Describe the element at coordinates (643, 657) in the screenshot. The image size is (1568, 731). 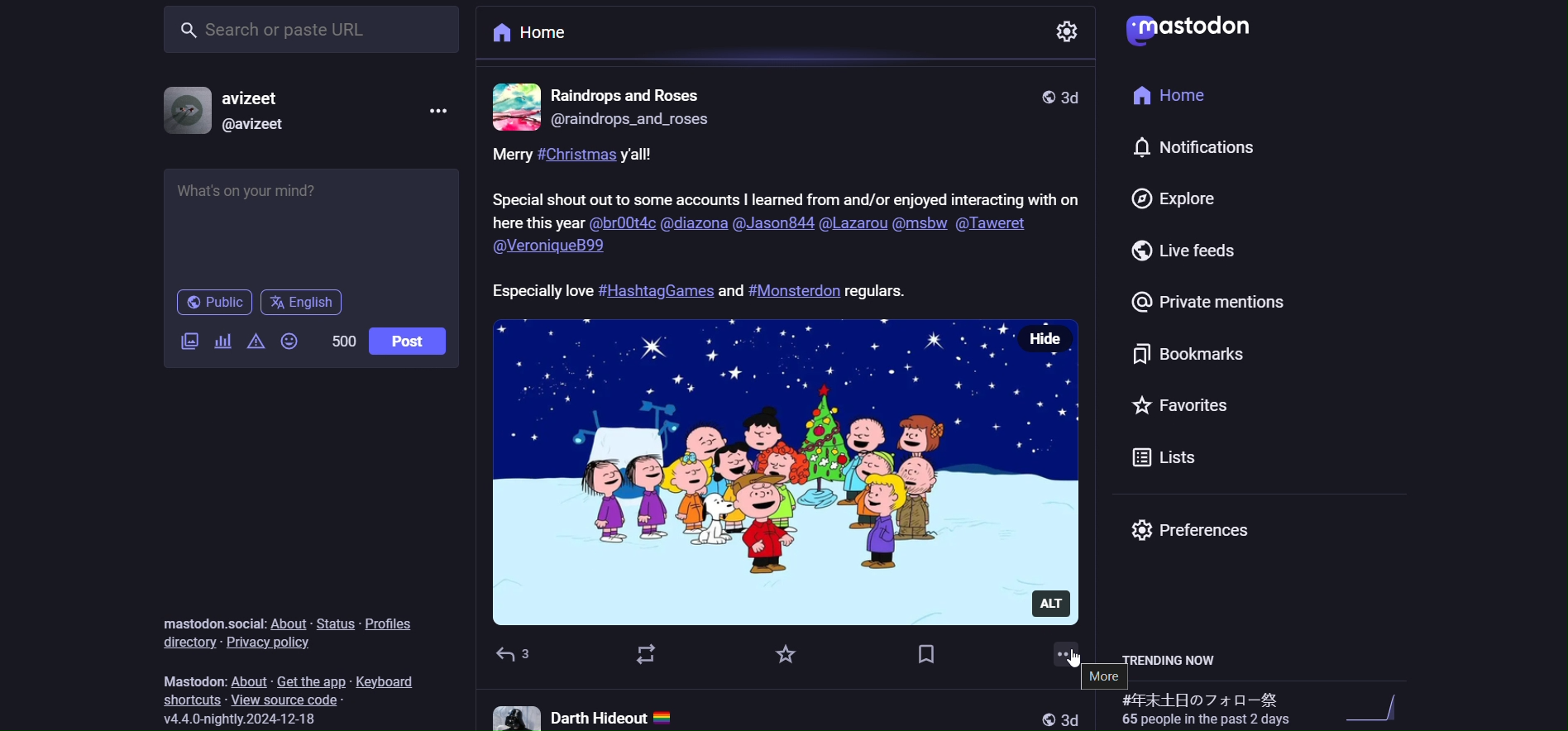
I see `boost` at that location.